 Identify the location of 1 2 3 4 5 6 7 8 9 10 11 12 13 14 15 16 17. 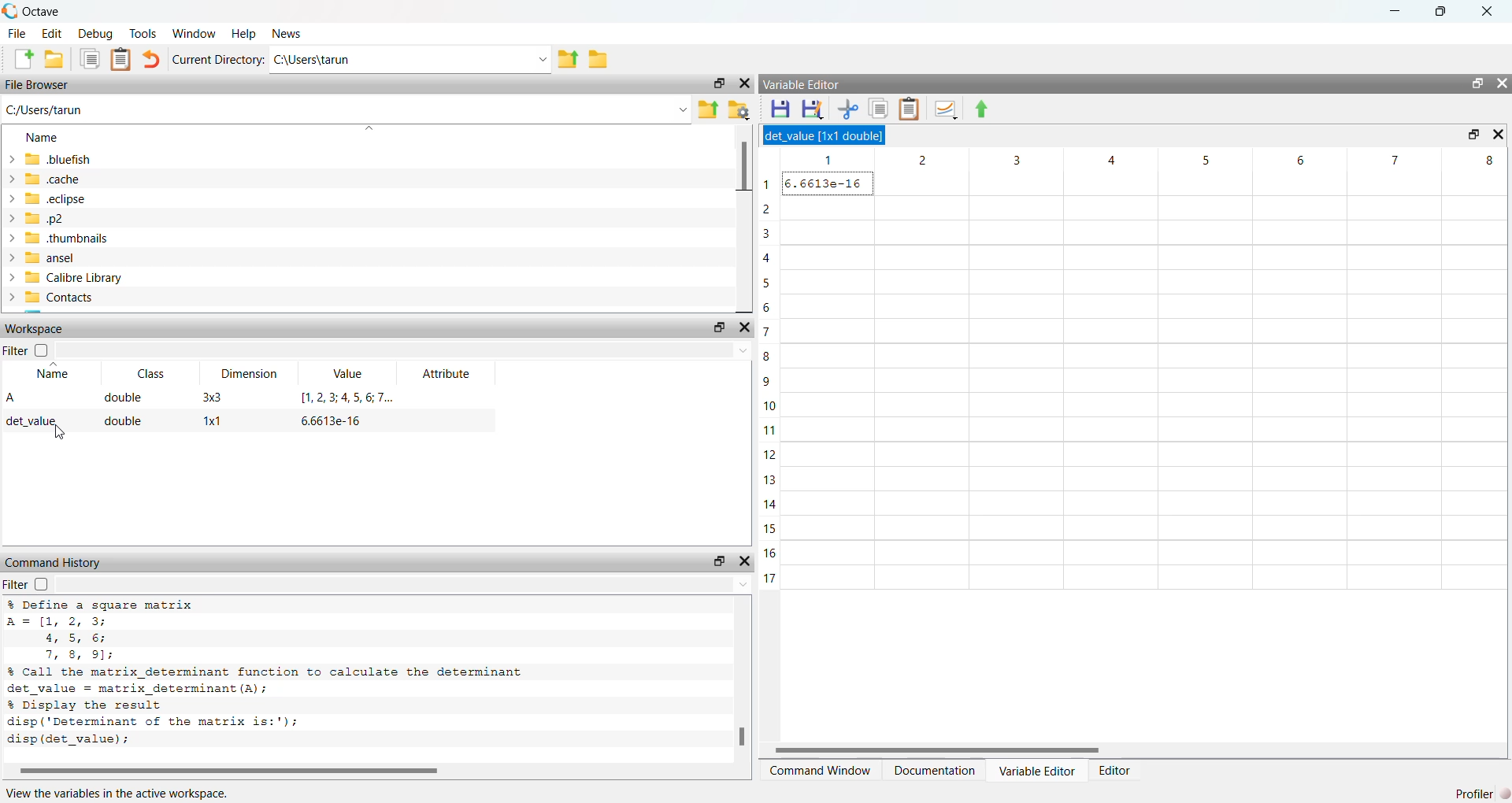
(771, 378).